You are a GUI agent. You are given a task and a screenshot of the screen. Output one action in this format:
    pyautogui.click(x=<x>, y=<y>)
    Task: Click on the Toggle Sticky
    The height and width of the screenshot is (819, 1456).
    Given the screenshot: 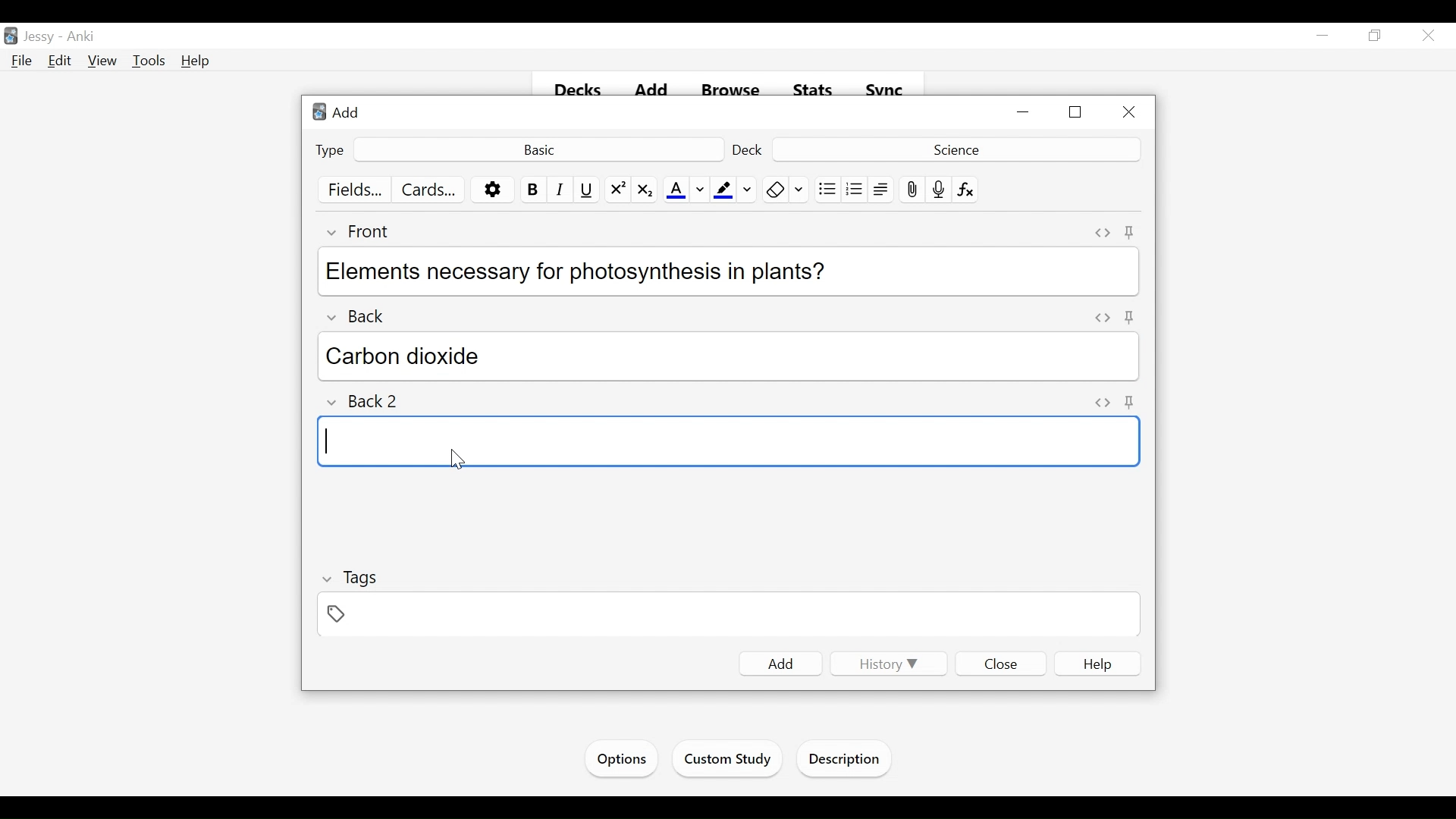 What is the action you would take?
    pyautogui.click(x=1128, y=318)
    